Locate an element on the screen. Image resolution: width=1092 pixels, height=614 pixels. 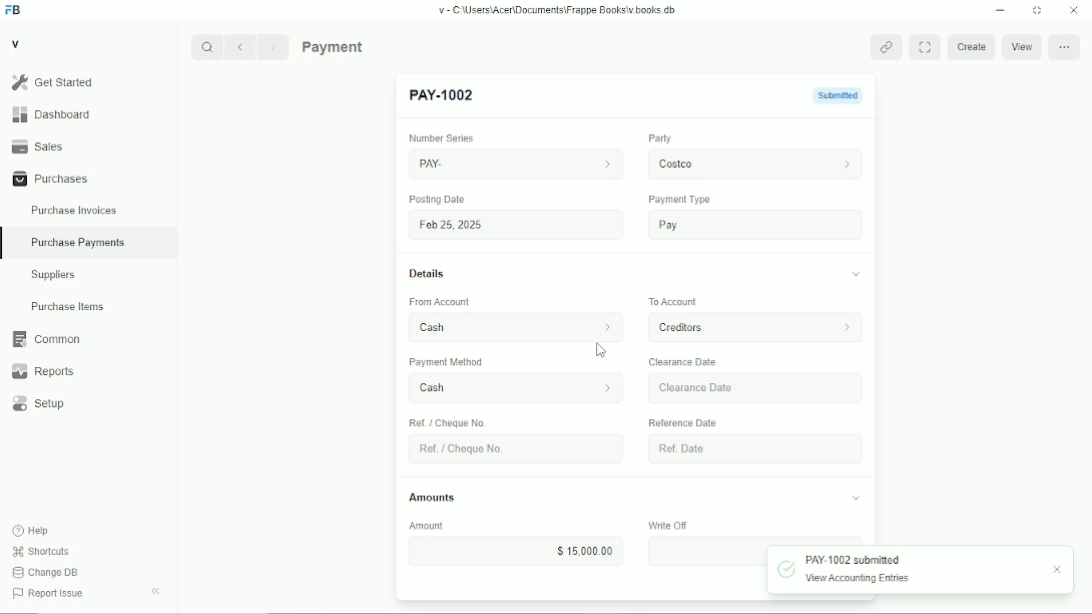
 is located at coordinates (704, 551).